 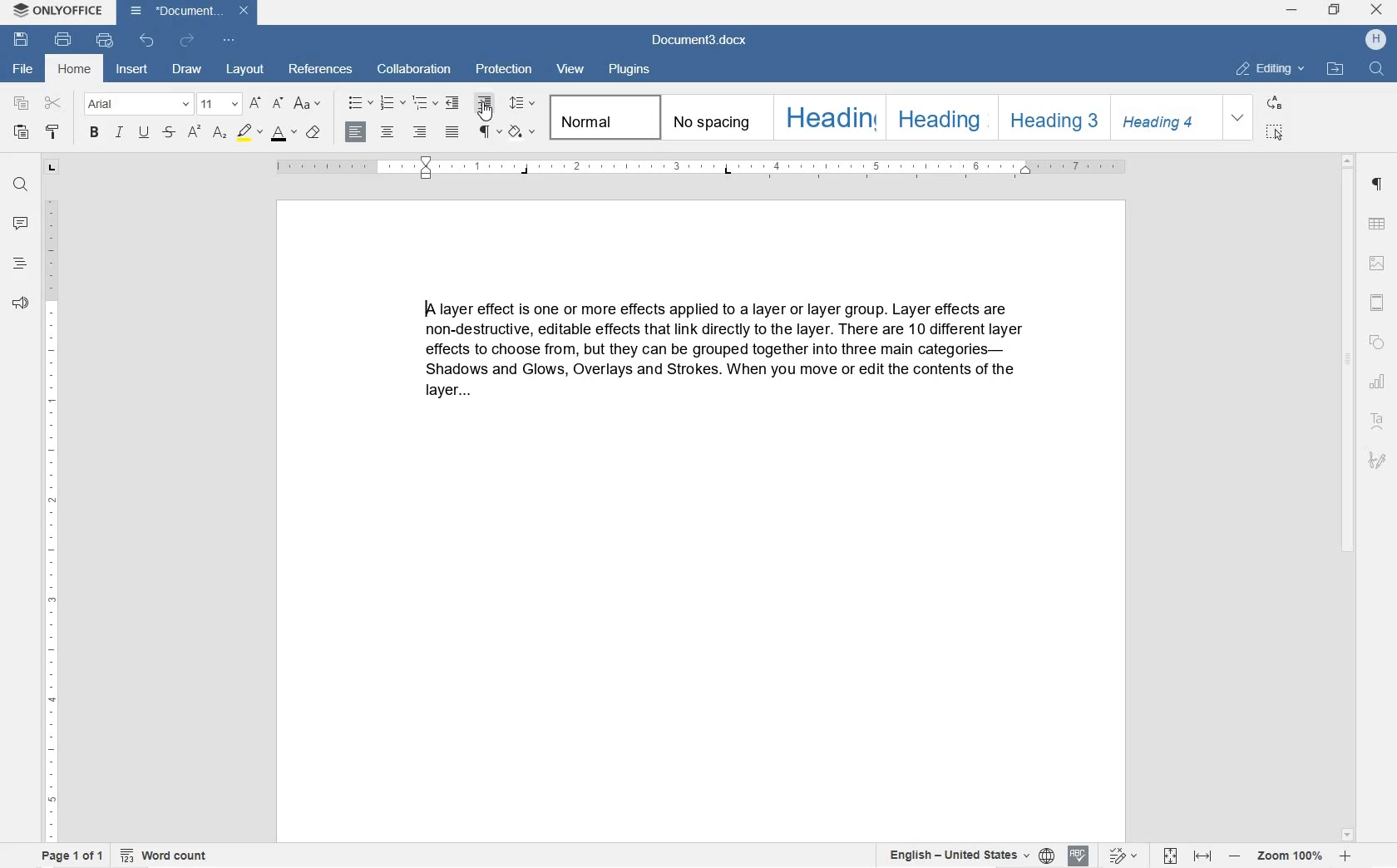 I want to click on NUMBERING, so click(x=393, y=102).